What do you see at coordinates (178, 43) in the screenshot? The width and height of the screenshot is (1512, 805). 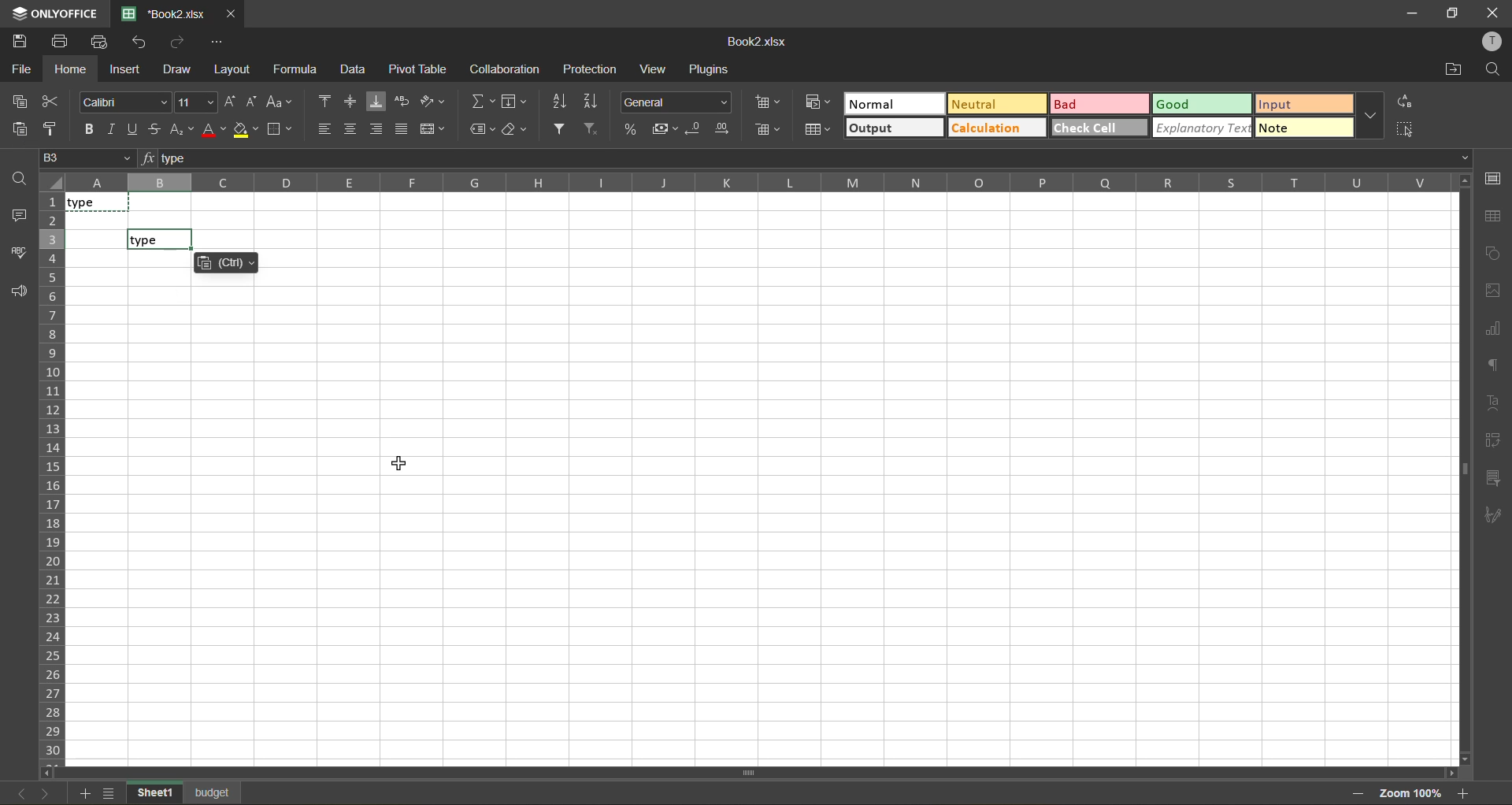 I see `redo` at bounding box center [178, 43].